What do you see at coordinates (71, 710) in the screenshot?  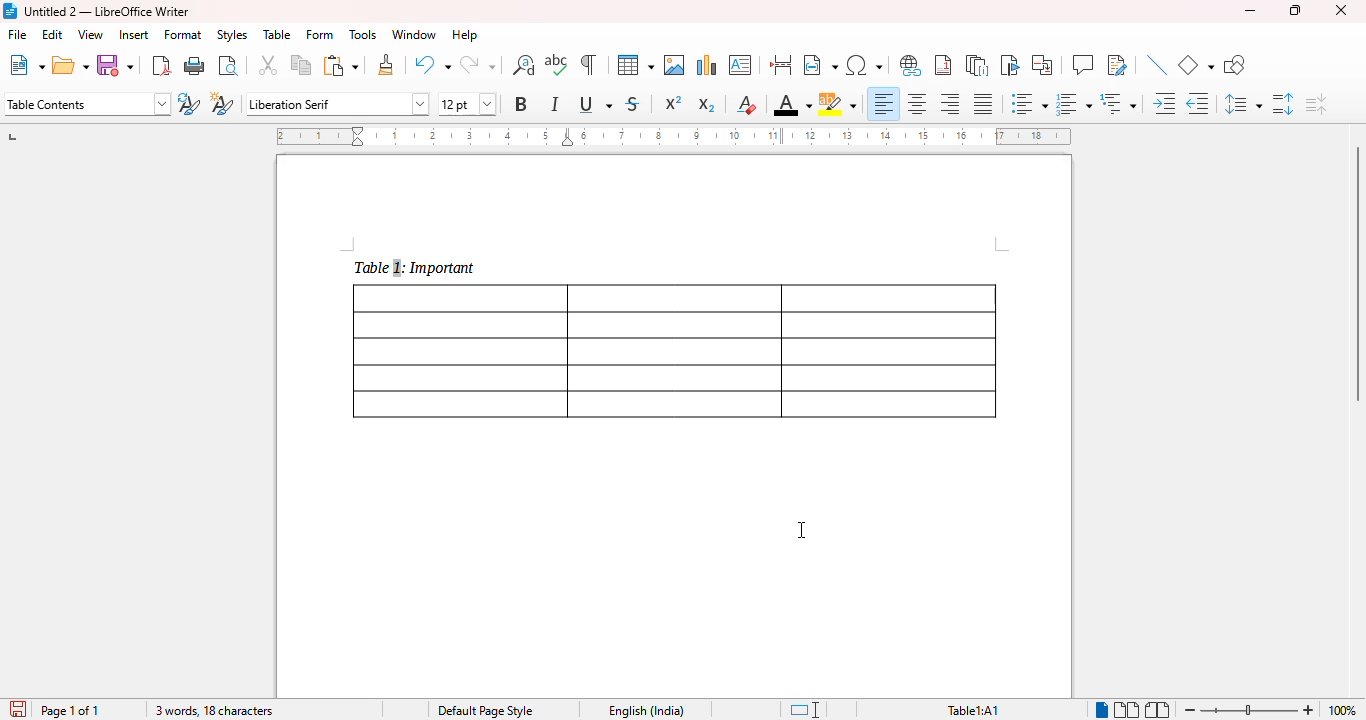 I see `page 1 of 1` at bounding box center [71, 710].